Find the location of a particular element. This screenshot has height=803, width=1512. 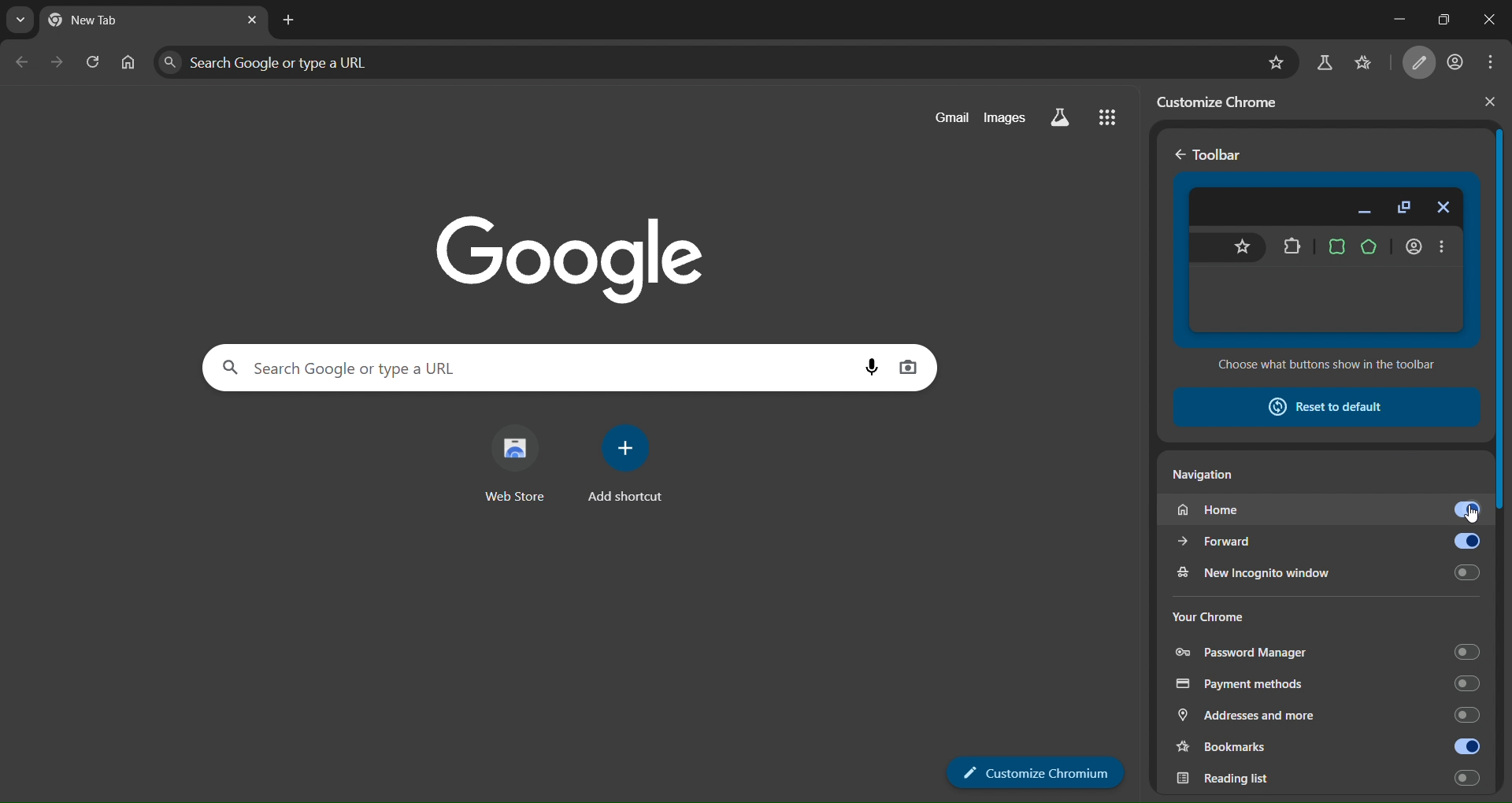

bookmarks is located at coordinates (1272, 748).